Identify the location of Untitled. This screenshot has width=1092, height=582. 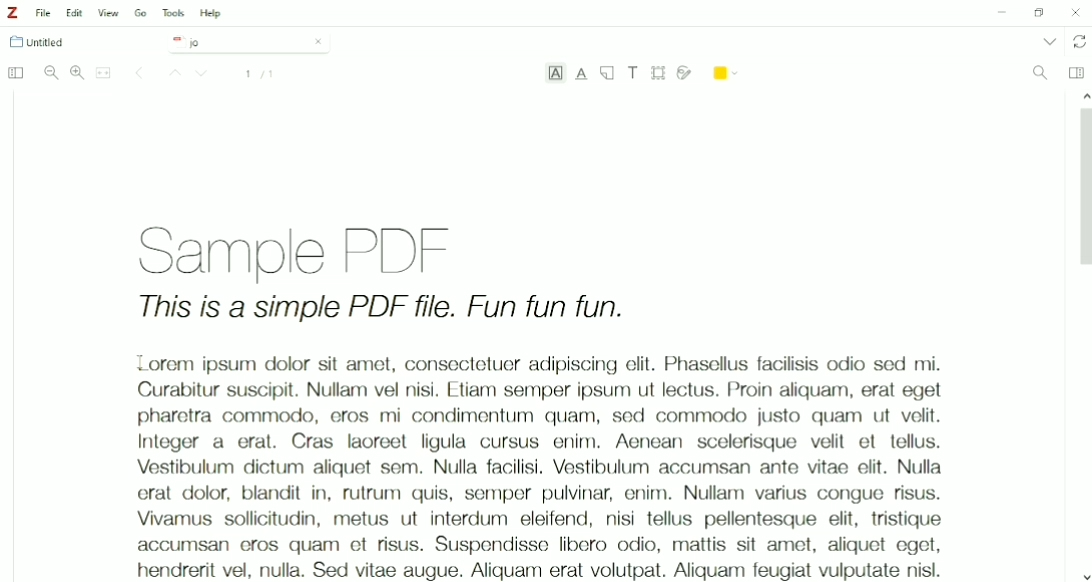
(46, 42).